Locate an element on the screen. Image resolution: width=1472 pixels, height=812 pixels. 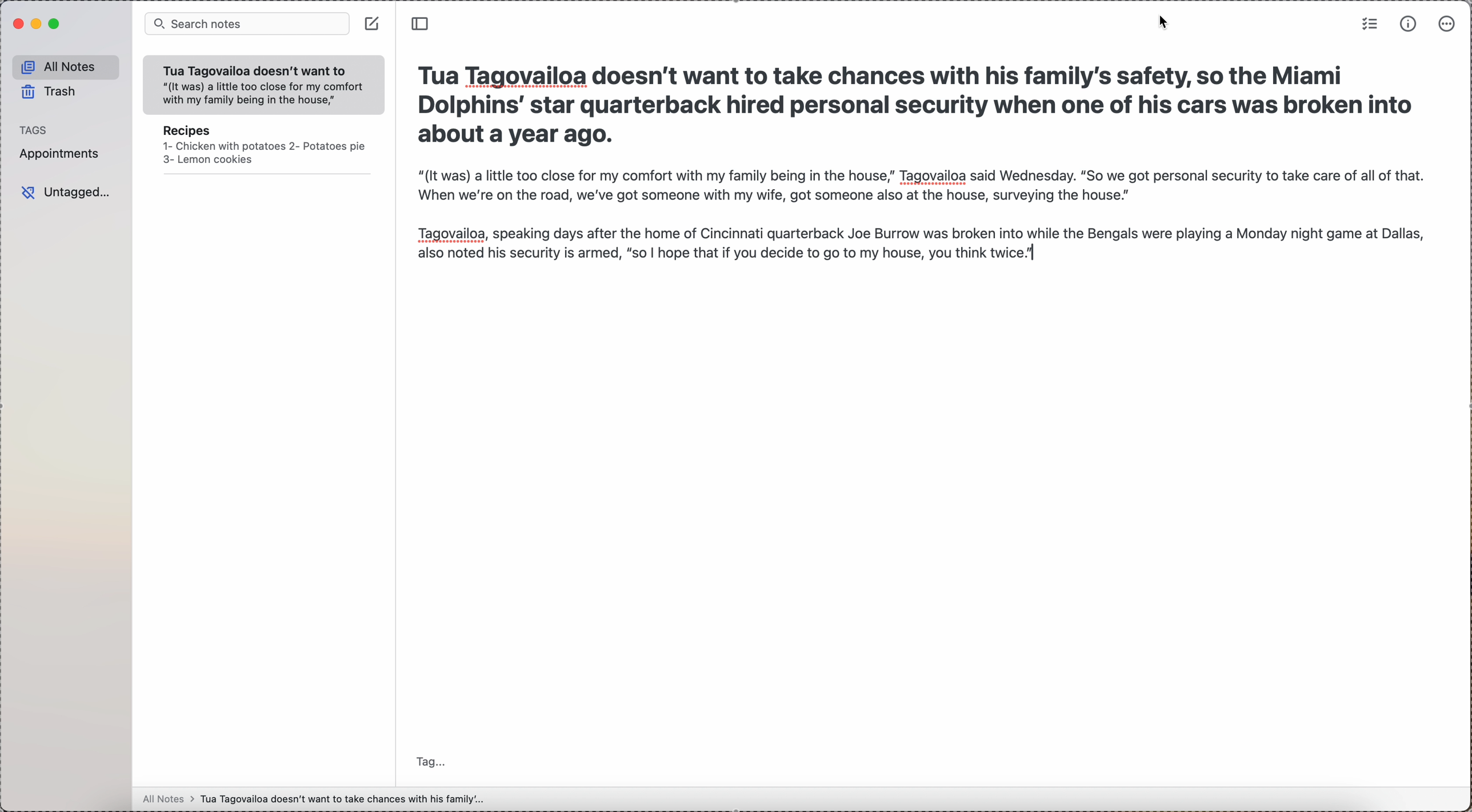
metrics is located at coordinates (1409, 23).